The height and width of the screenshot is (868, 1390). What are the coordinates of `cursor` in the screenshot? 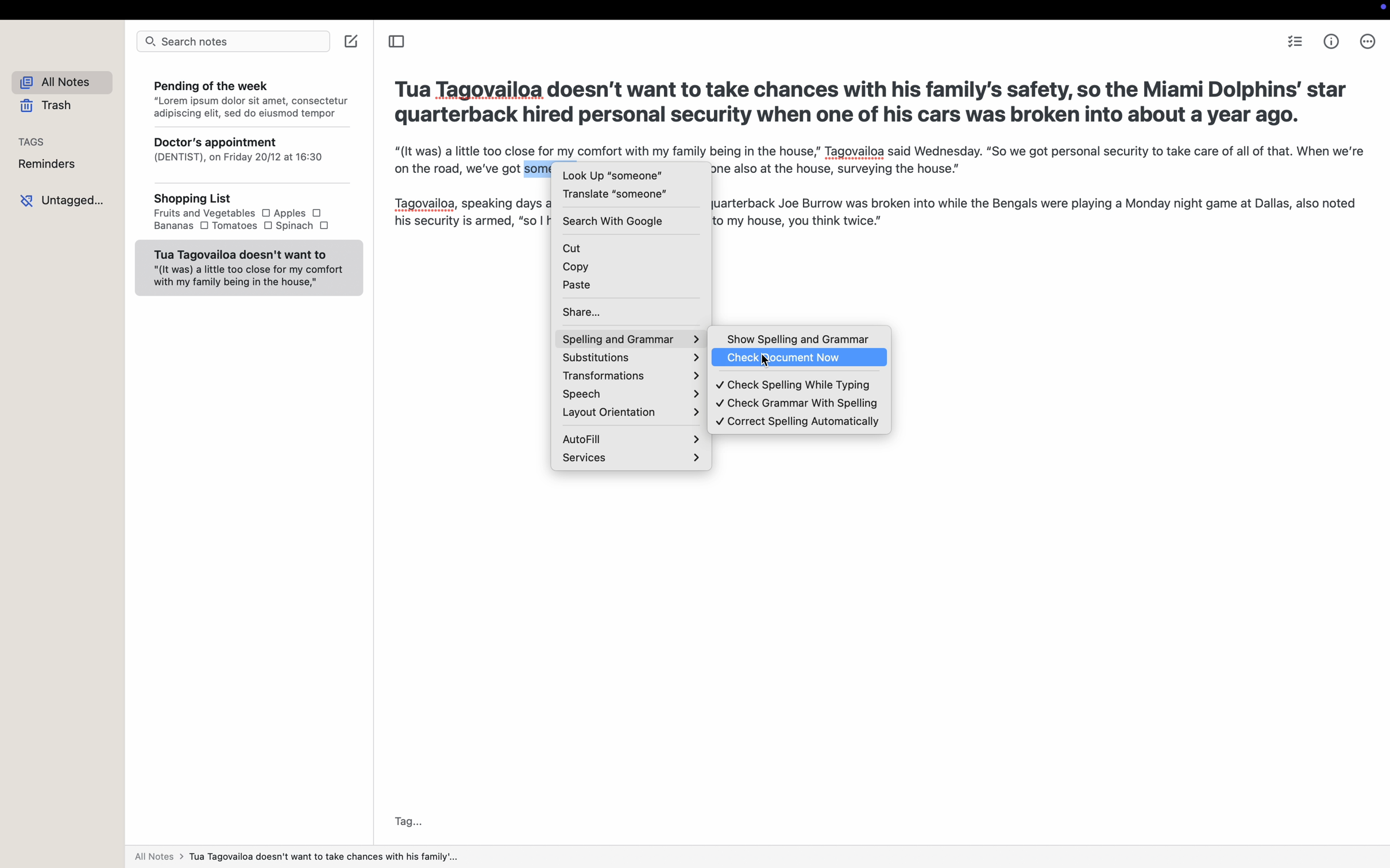 It's located at (767, 362).